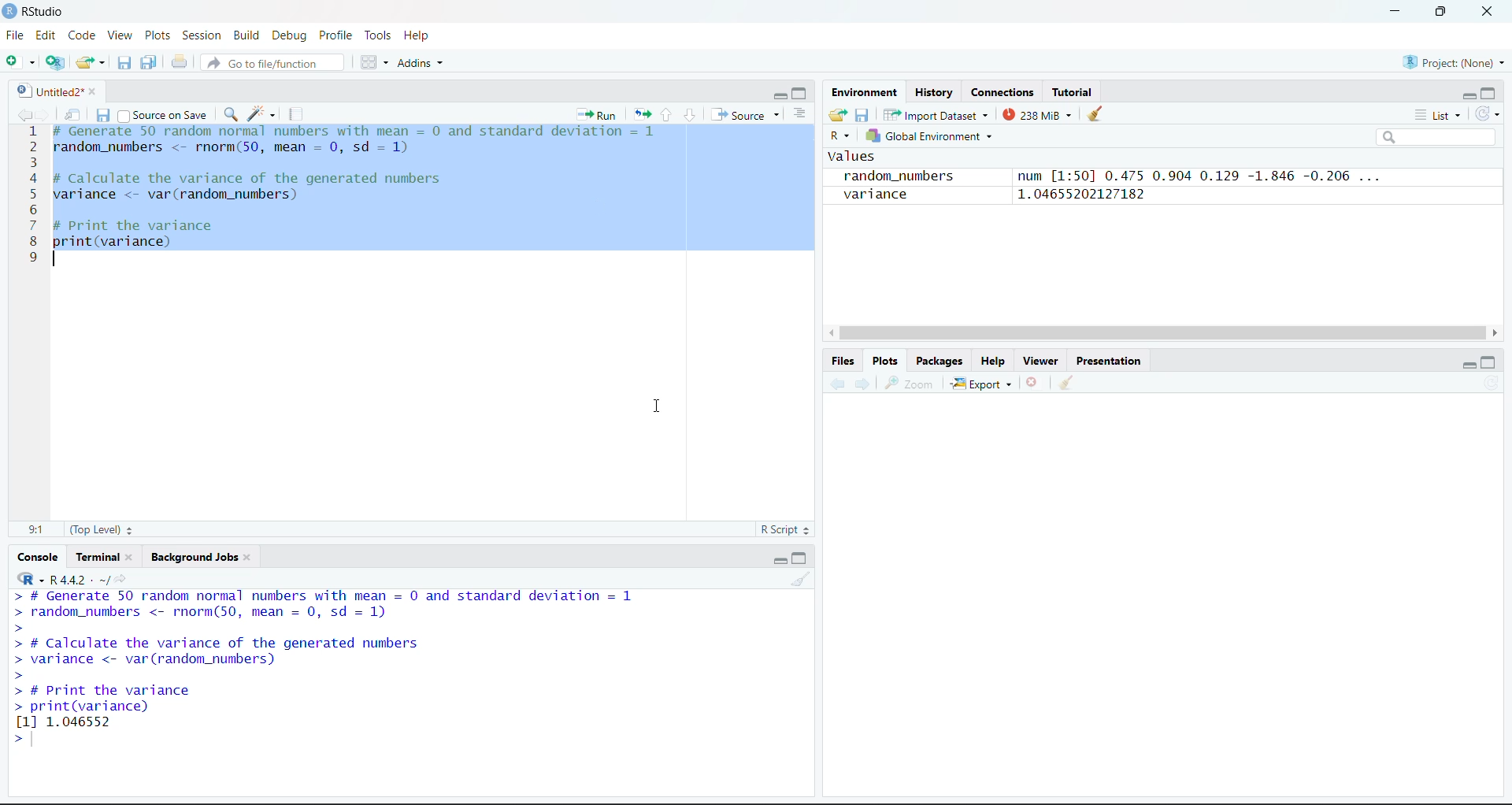 The height and width of the screenshot is (805, 1512). What do you see at coordinates (840, 135) in the screenshot?
I see `R` at bounding box center [840, 135].